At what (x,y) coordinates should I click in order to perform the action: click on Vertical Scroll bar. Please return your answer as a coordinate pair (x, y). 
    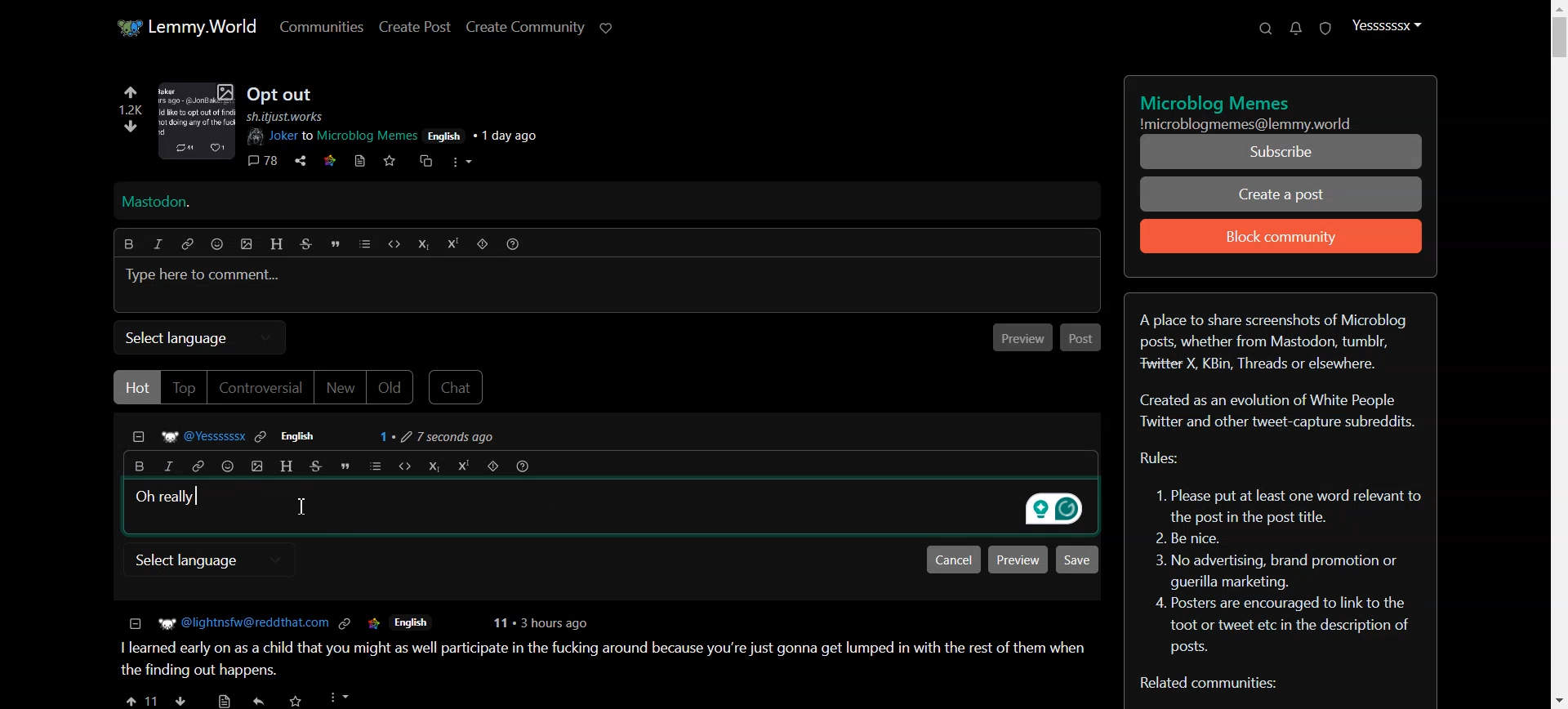
    Looking at the image, I should click on (1557, 354).